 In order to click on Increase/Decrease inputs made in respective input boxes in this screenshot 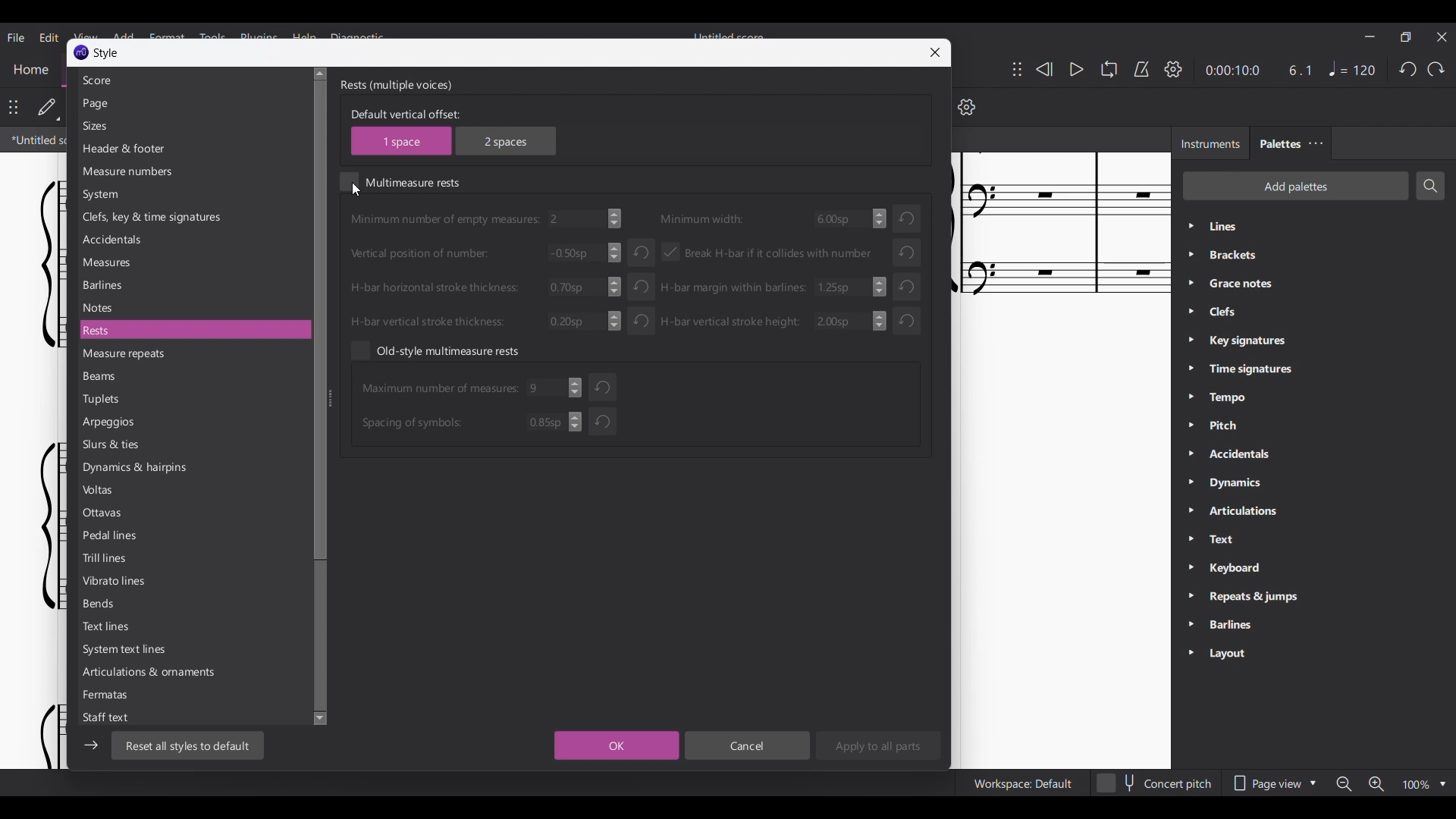, I will do `click(613, 271)`.